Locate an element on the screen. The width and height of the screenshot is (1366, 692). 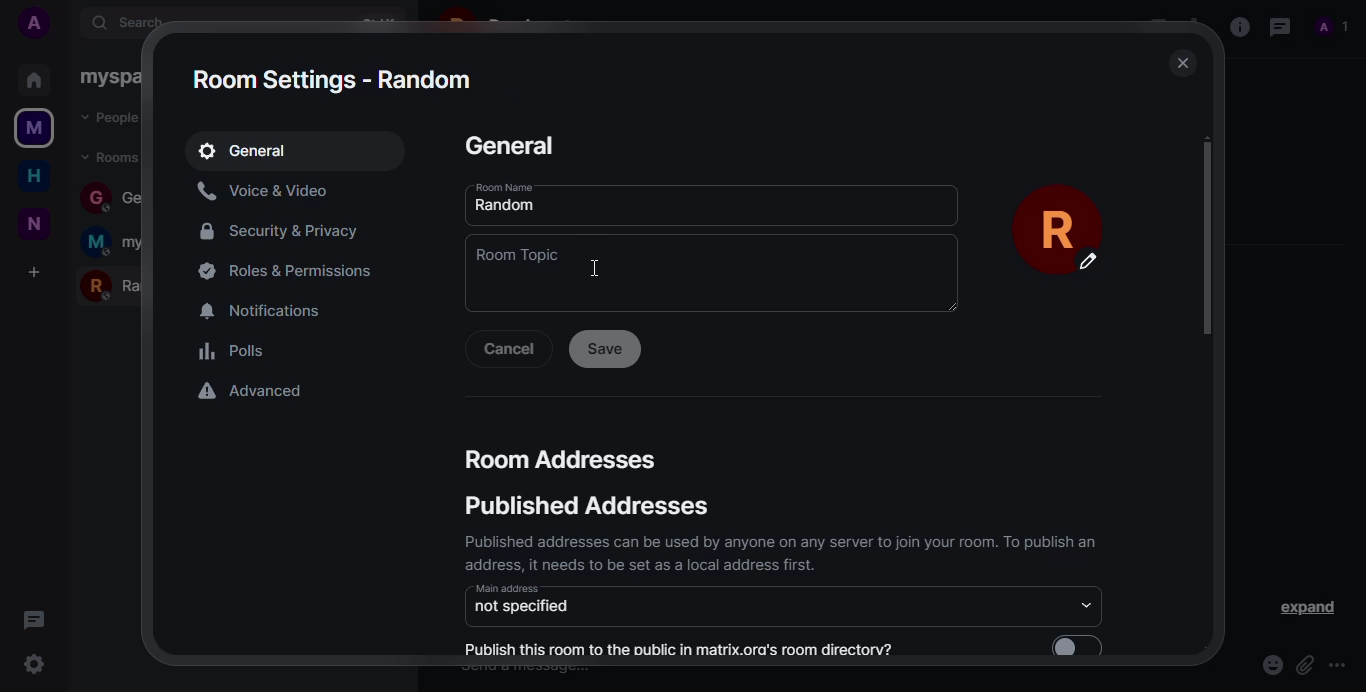
drop down is located at coordinates (1081, 606).